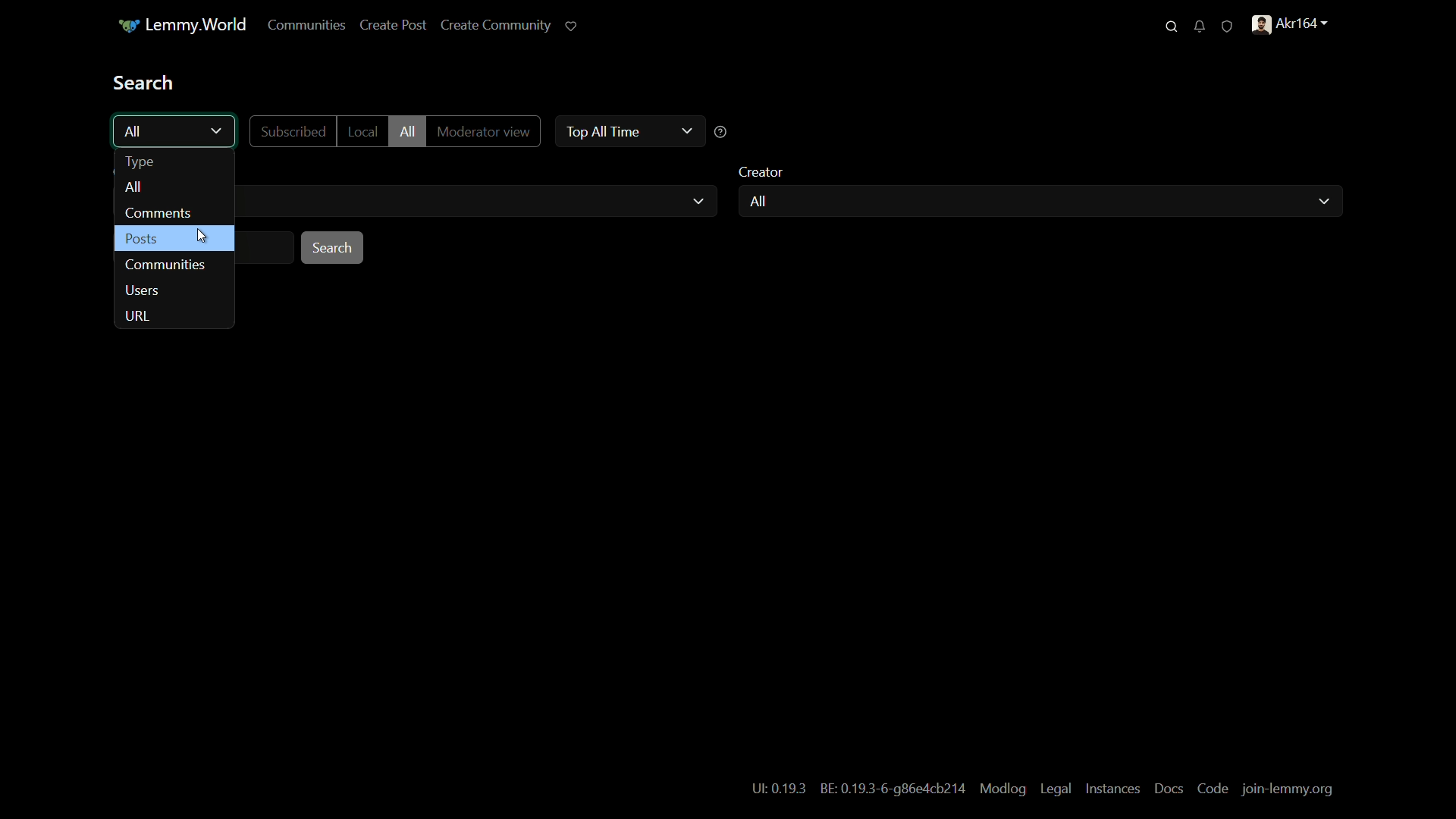  Describe the element at coordinates (573, 26) in the screenshot. I see `support lemmy.world` at that location.